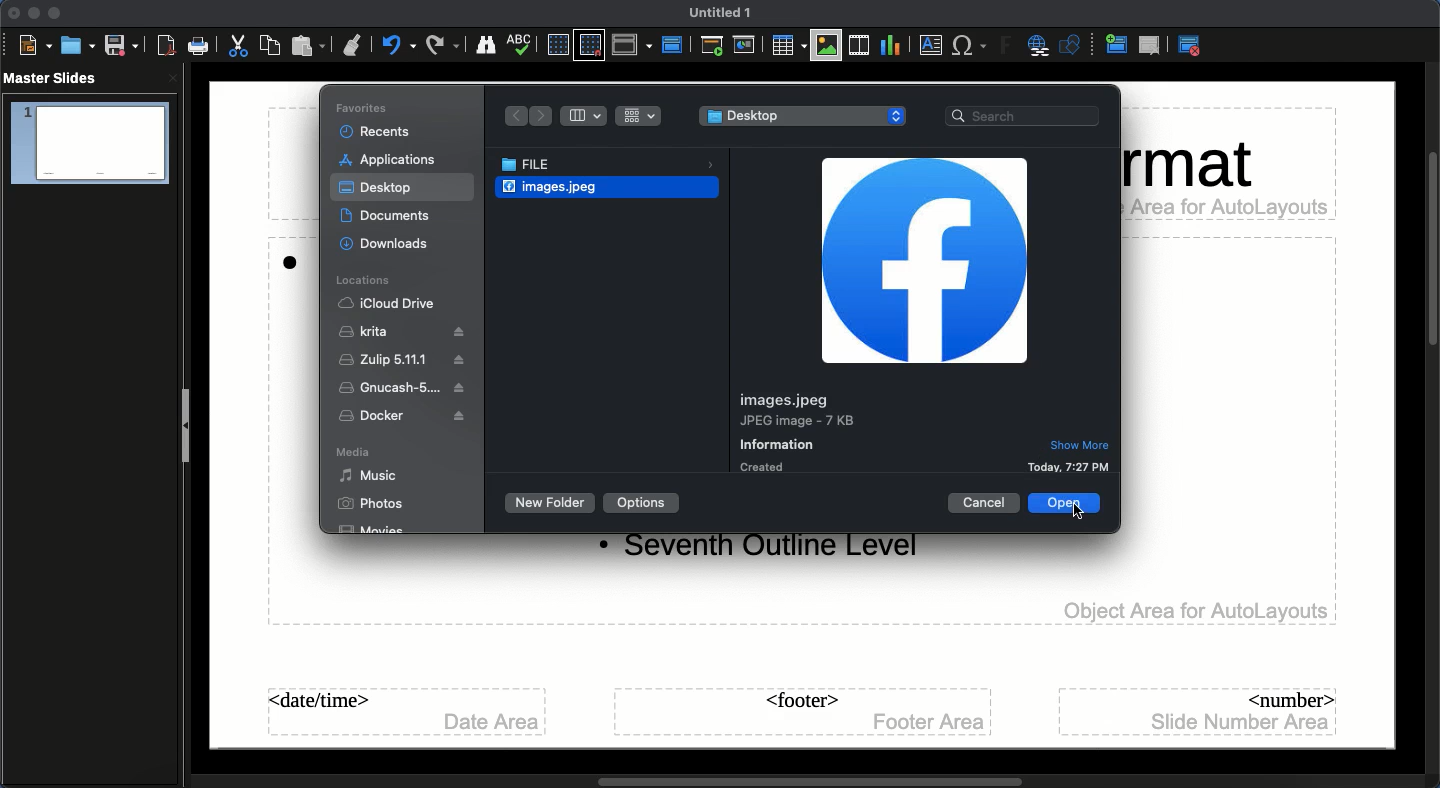 The width and height of the screenshot is (1440, 788). Describe the element at coordinates (1431, 249) in the screenshot. I see `Scroll bar` at that location.